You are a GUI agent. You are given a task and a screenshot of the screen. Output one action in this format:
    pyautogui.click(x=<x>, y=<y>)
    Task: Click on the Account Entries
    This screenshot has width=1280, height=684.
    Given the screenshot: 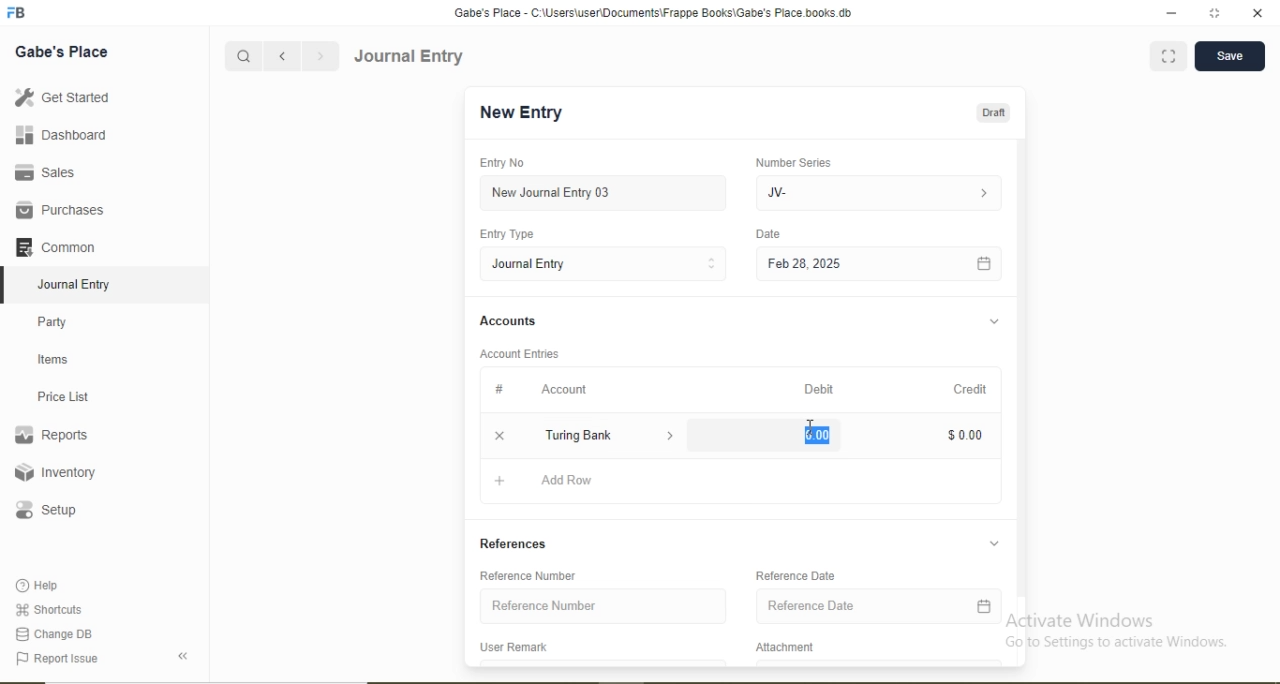 What is the action you would take?
    pyautogui.click(x=518, y=354)
    